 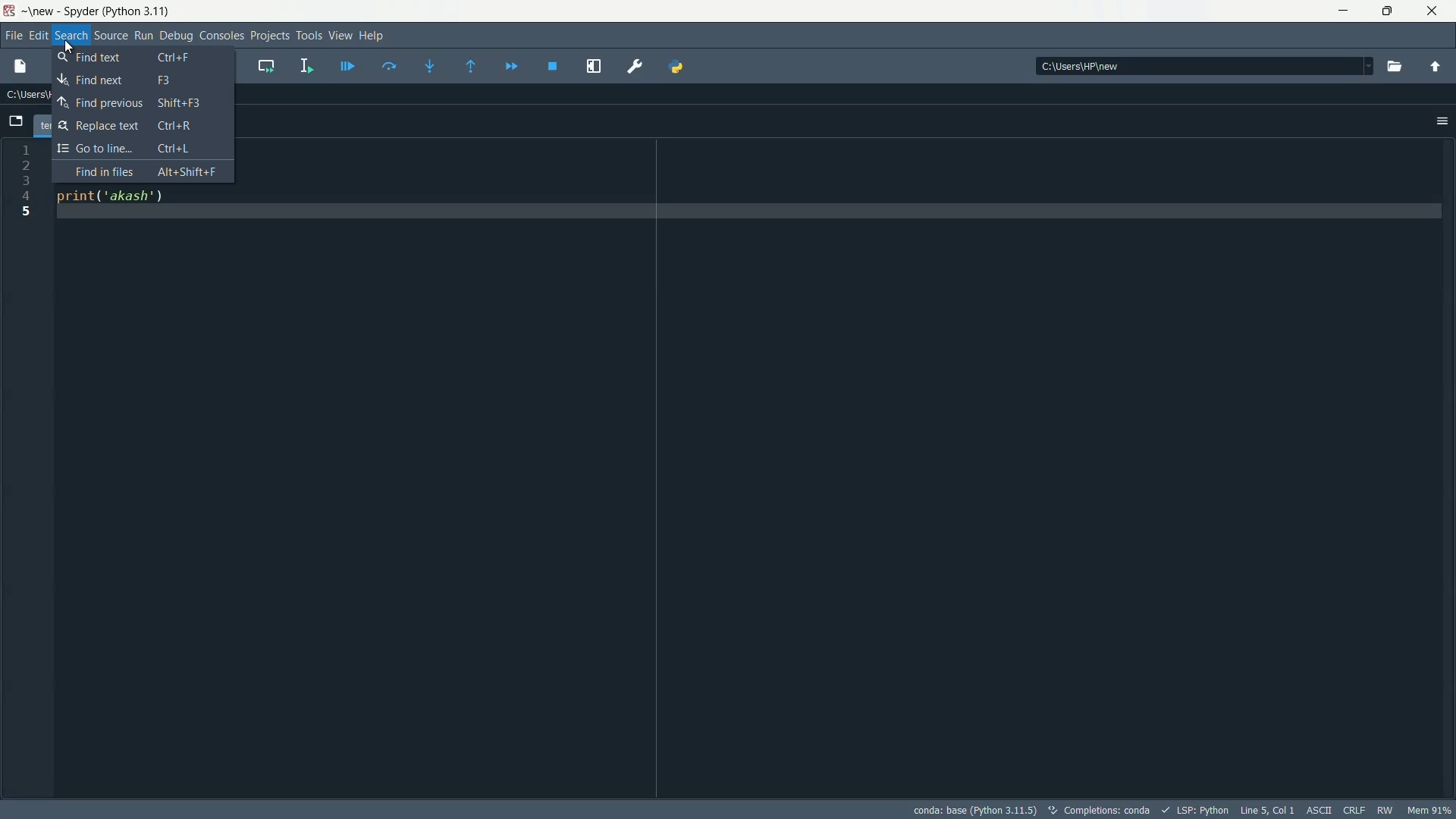 What do you see at coordinates (143, 101) in the screenshot?
I see `Find Previous` at bounding box center [143, 101].